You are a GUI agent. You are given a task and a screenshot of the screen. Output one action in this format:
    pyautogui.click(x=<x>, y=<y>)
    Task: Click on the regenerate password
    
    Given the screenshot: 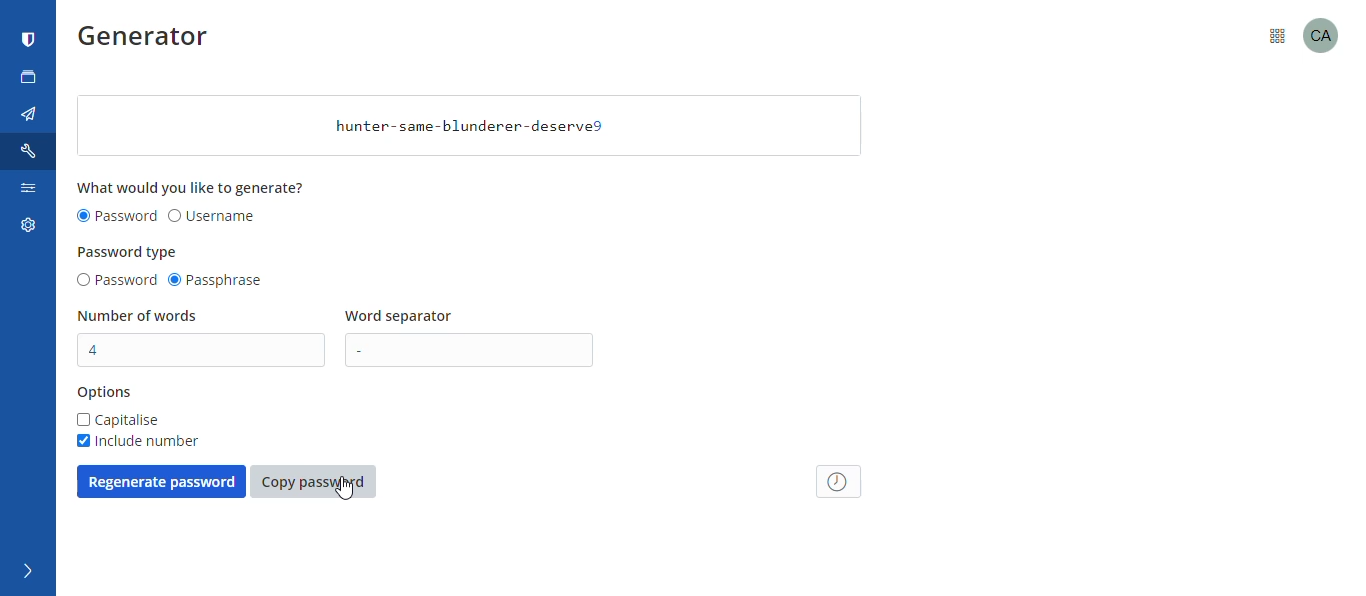 What is the action you would take?
    pyautogui.click(x=161, y=481)
    